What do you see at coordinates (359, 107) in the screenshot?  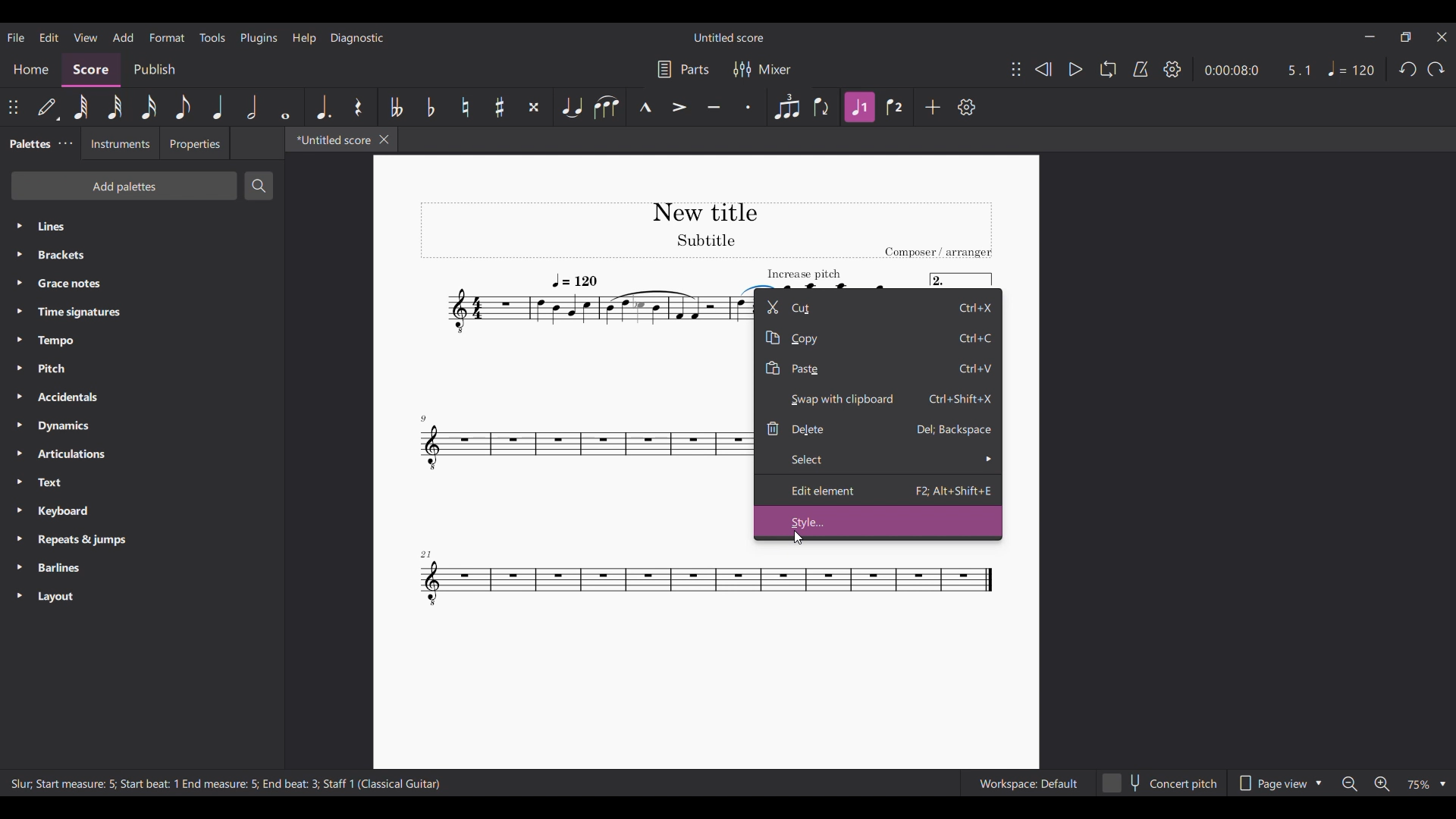 I see `Rest` at bounding box center [359, 107].